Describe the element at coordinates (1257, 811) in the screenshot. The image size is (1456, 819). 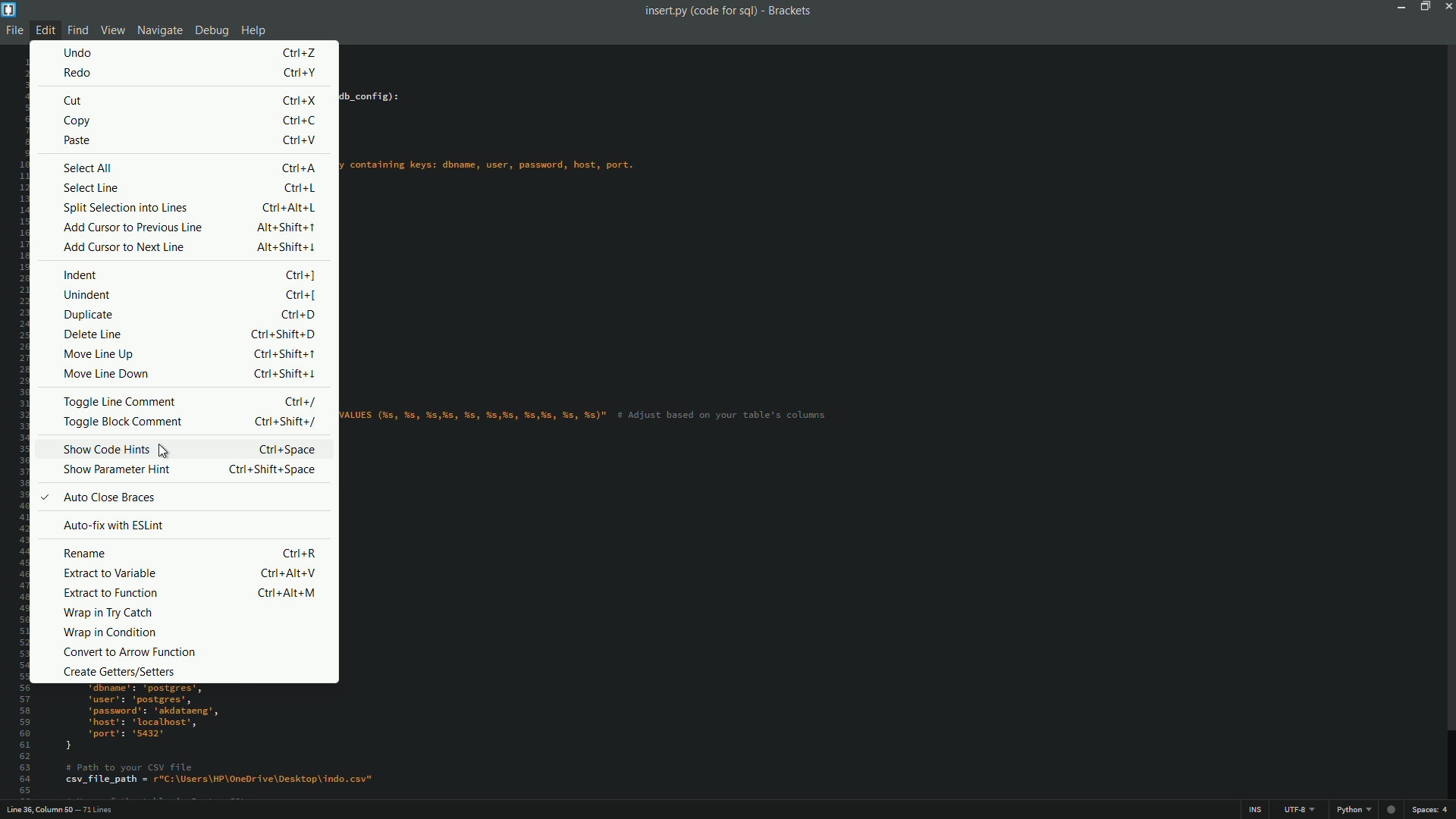
I see `ins` at that location.